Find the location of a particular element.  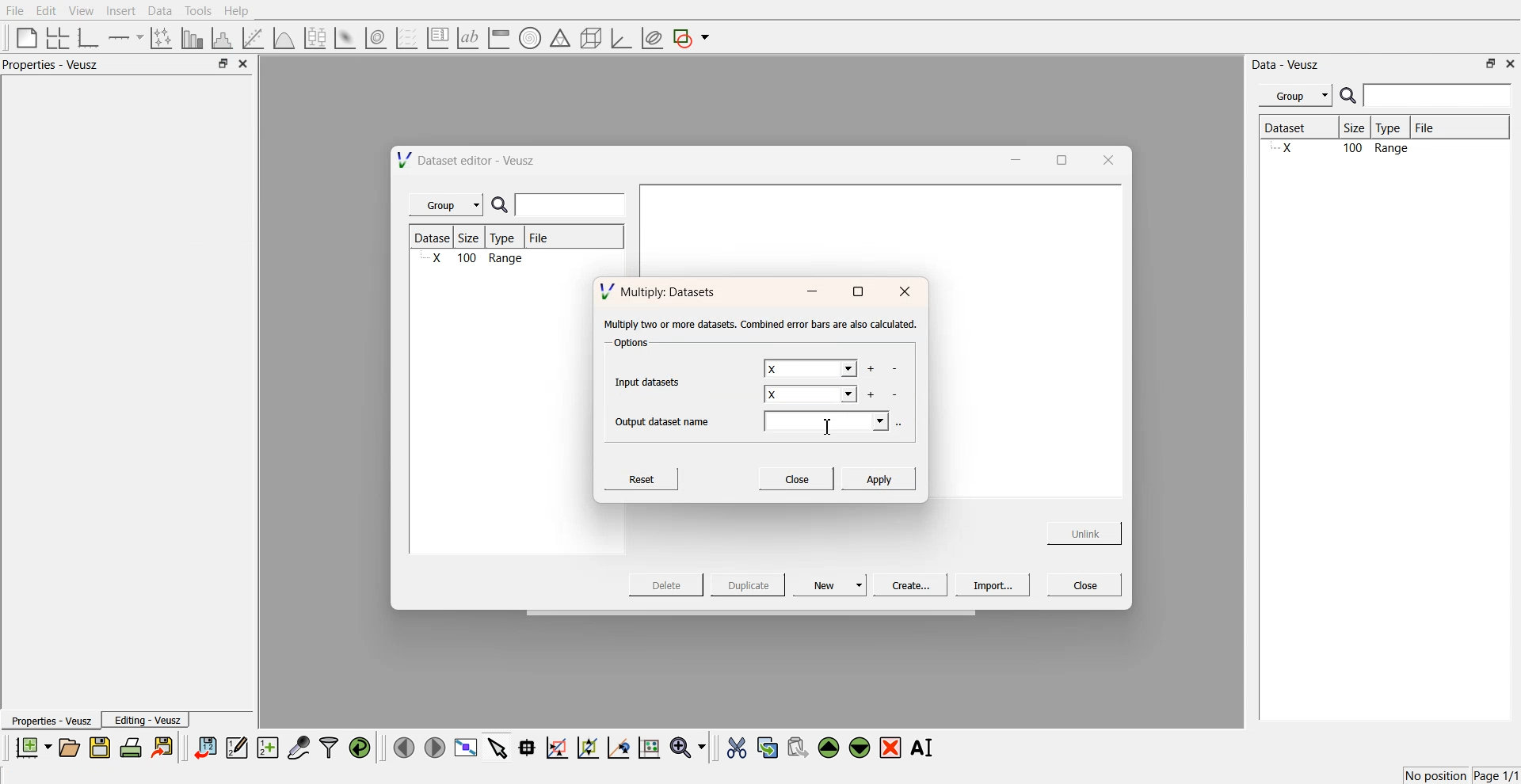

ternary shapes is located at coordinates (558, 40).